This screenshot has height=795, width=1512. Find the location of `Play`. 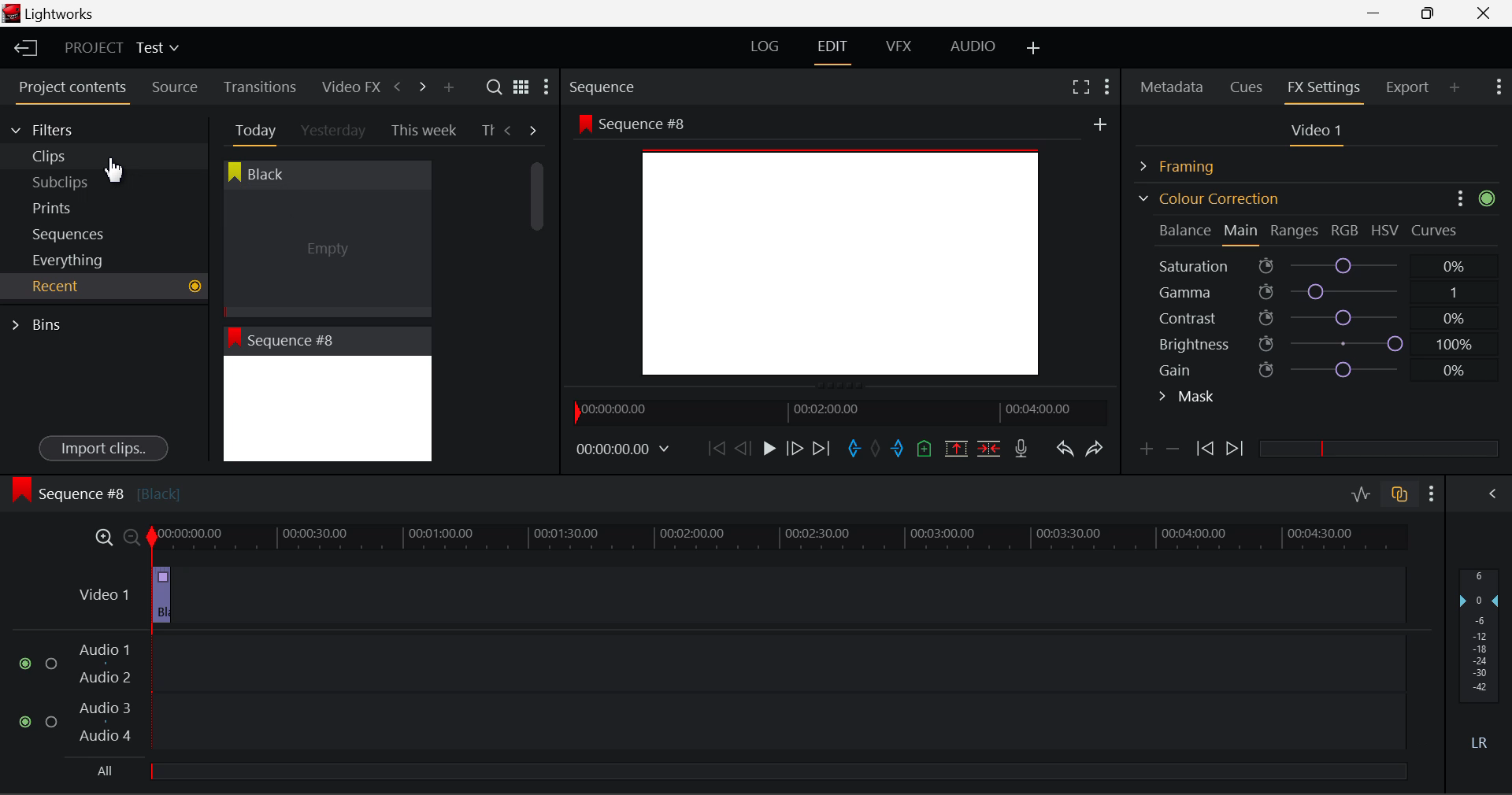

Play is located at coordinates (767, 449).